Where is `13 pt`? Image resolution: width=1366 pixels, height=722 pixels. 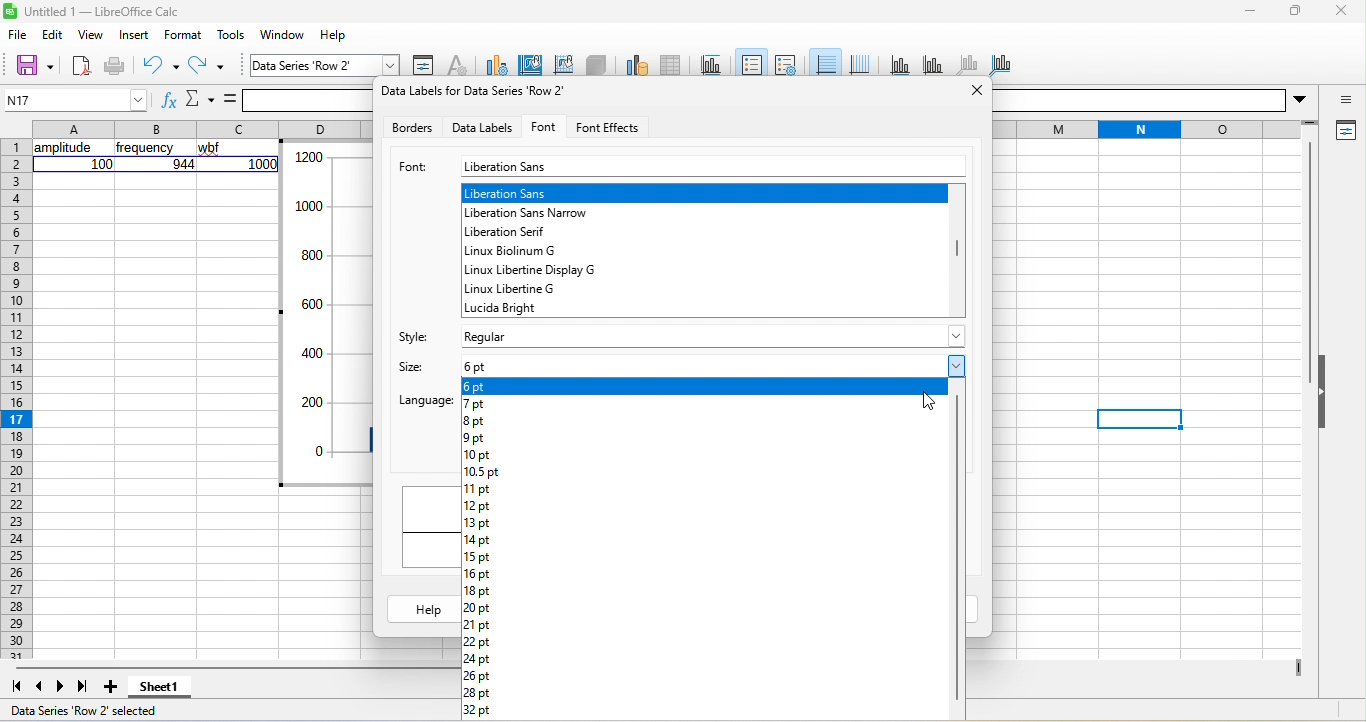 13 pt is located at coordinates (478, 524).